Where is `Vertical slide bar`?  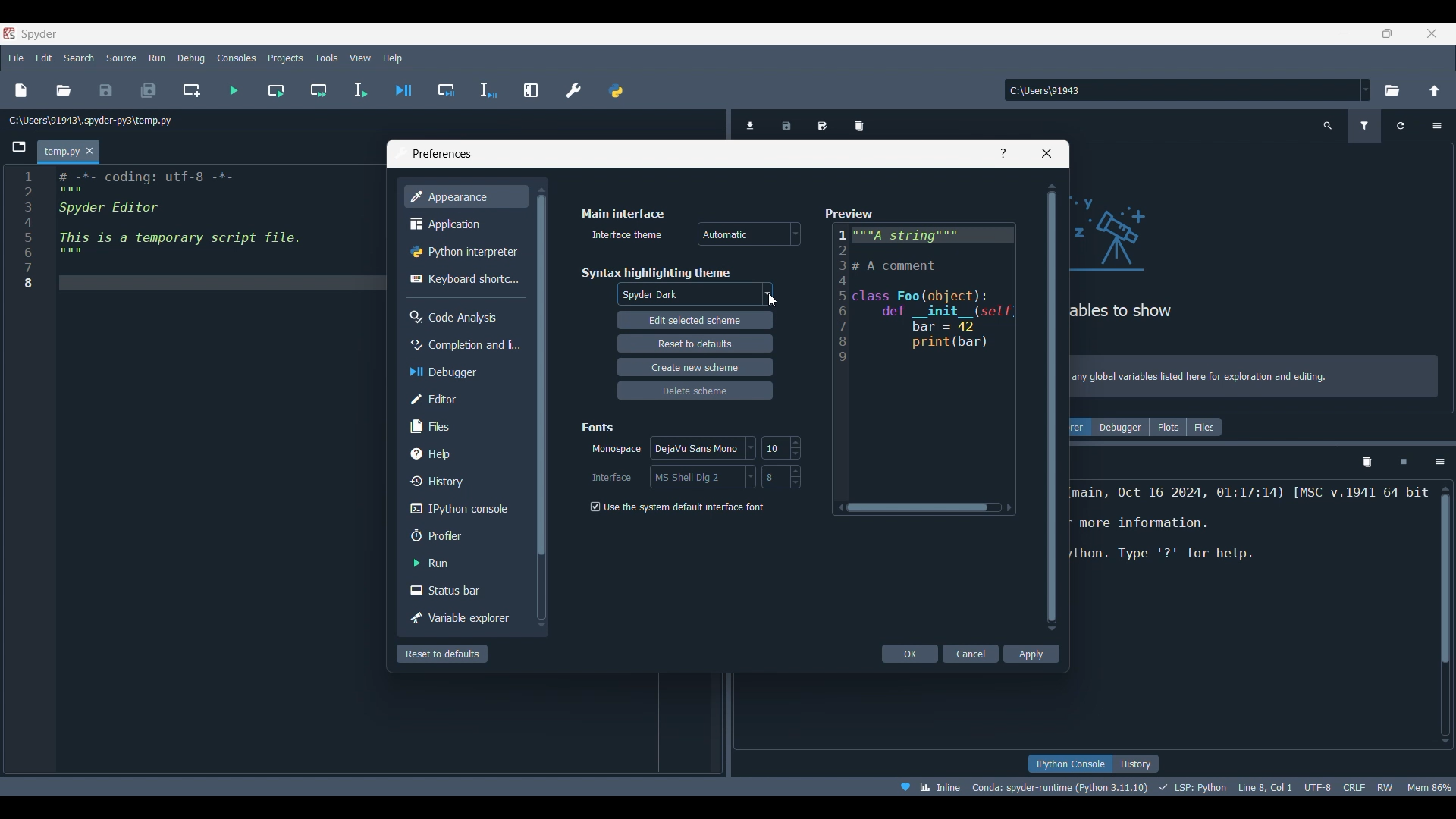 Vertical slide bar is located at coordinates (540, 406).